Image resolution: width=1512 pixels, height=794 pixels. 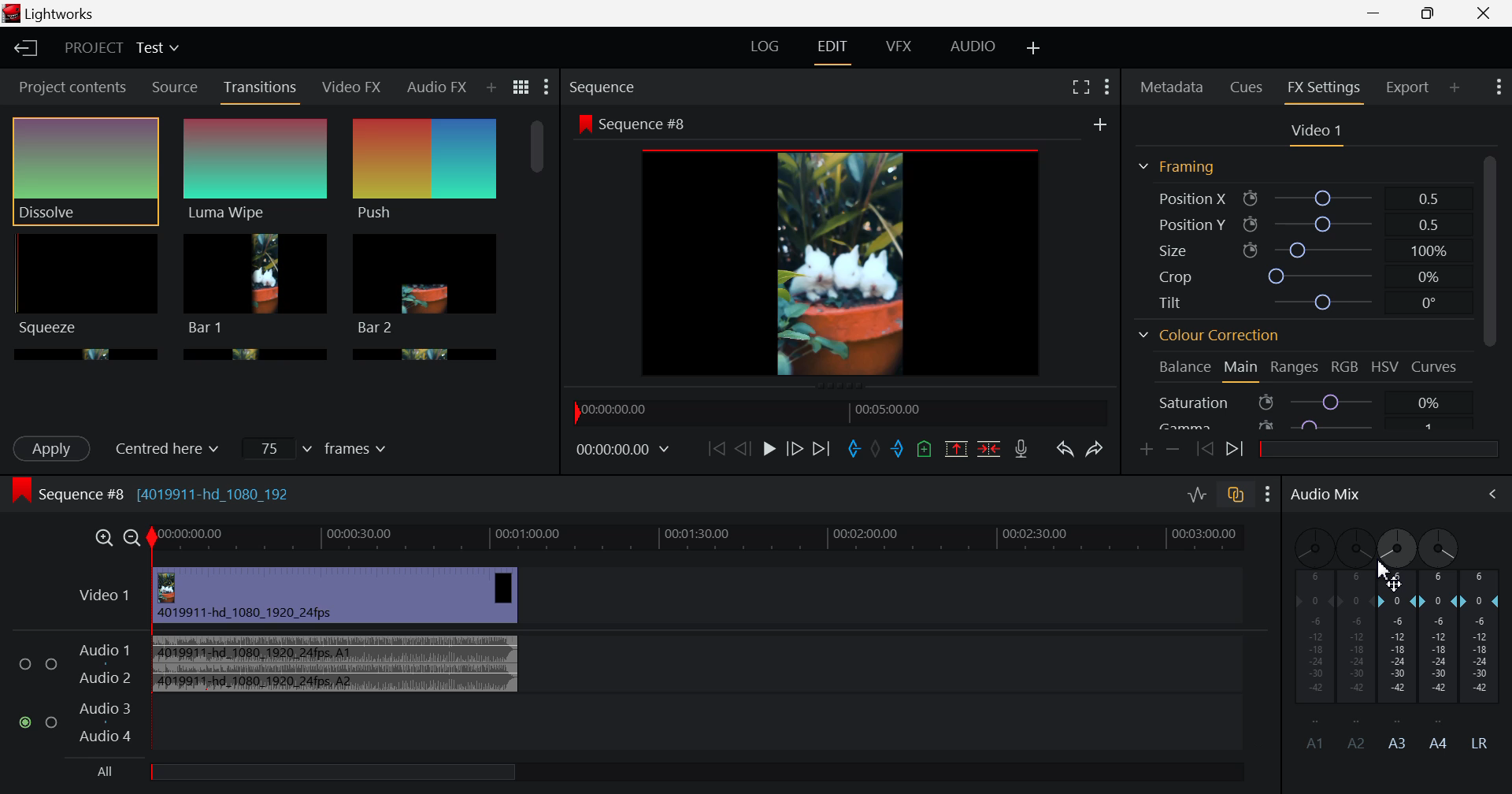 I want to click on Previous keyframe, so click(x=1202, y=447).